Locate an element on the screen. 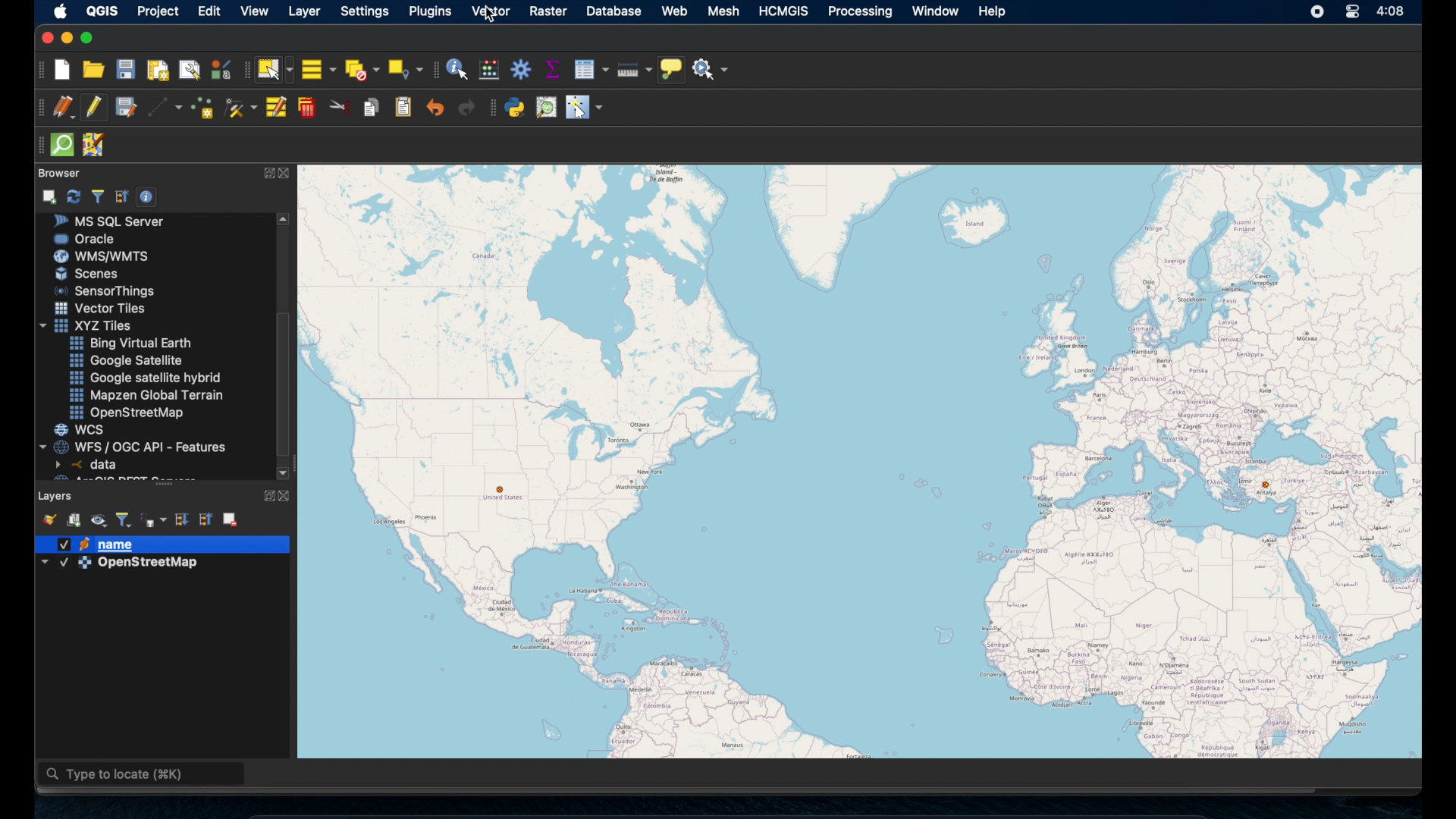  wcs is located at coordinates (81, 430).